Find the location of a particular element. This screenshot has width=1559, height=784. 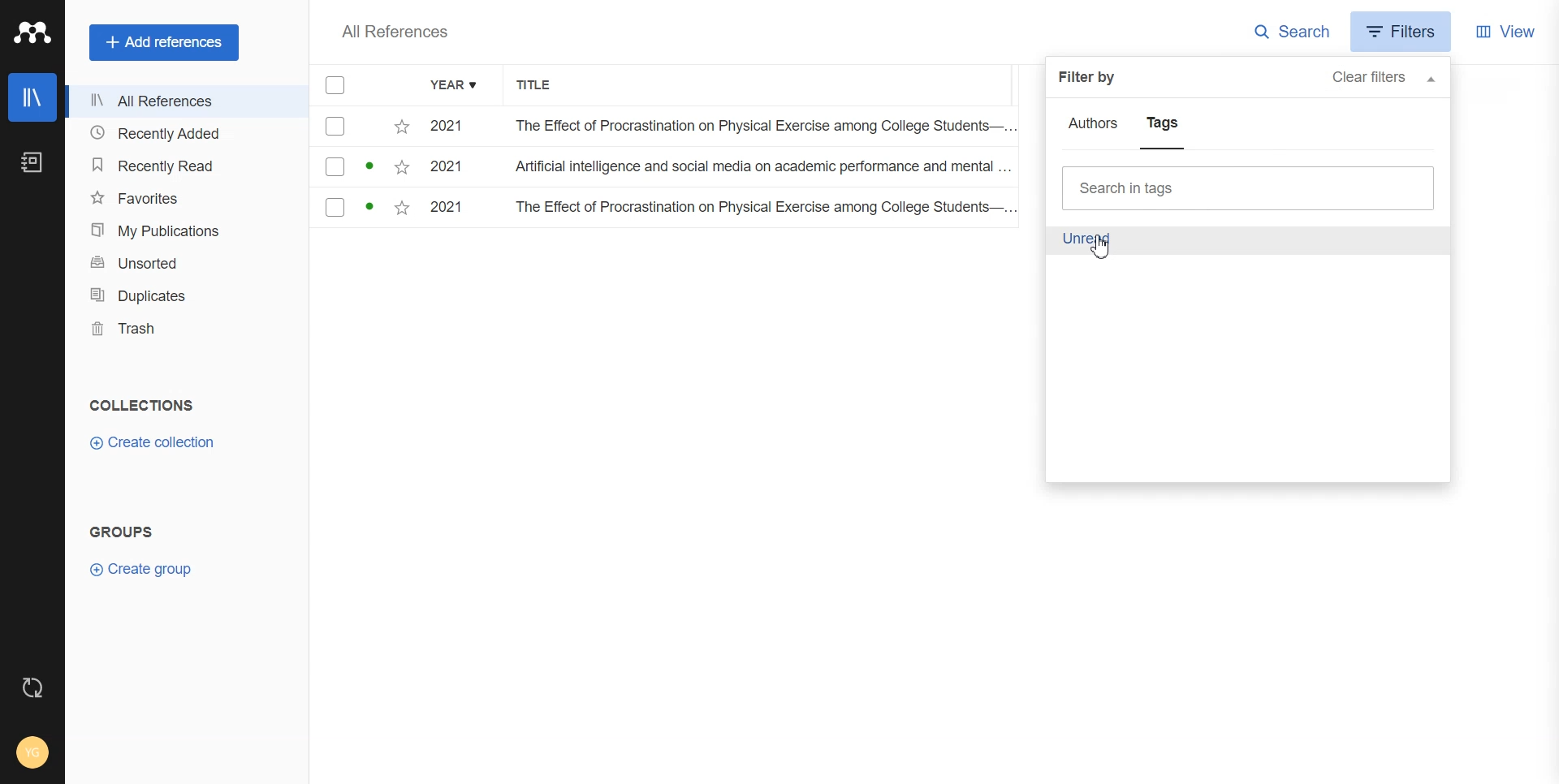

Year is located at coordinates (456, 86).